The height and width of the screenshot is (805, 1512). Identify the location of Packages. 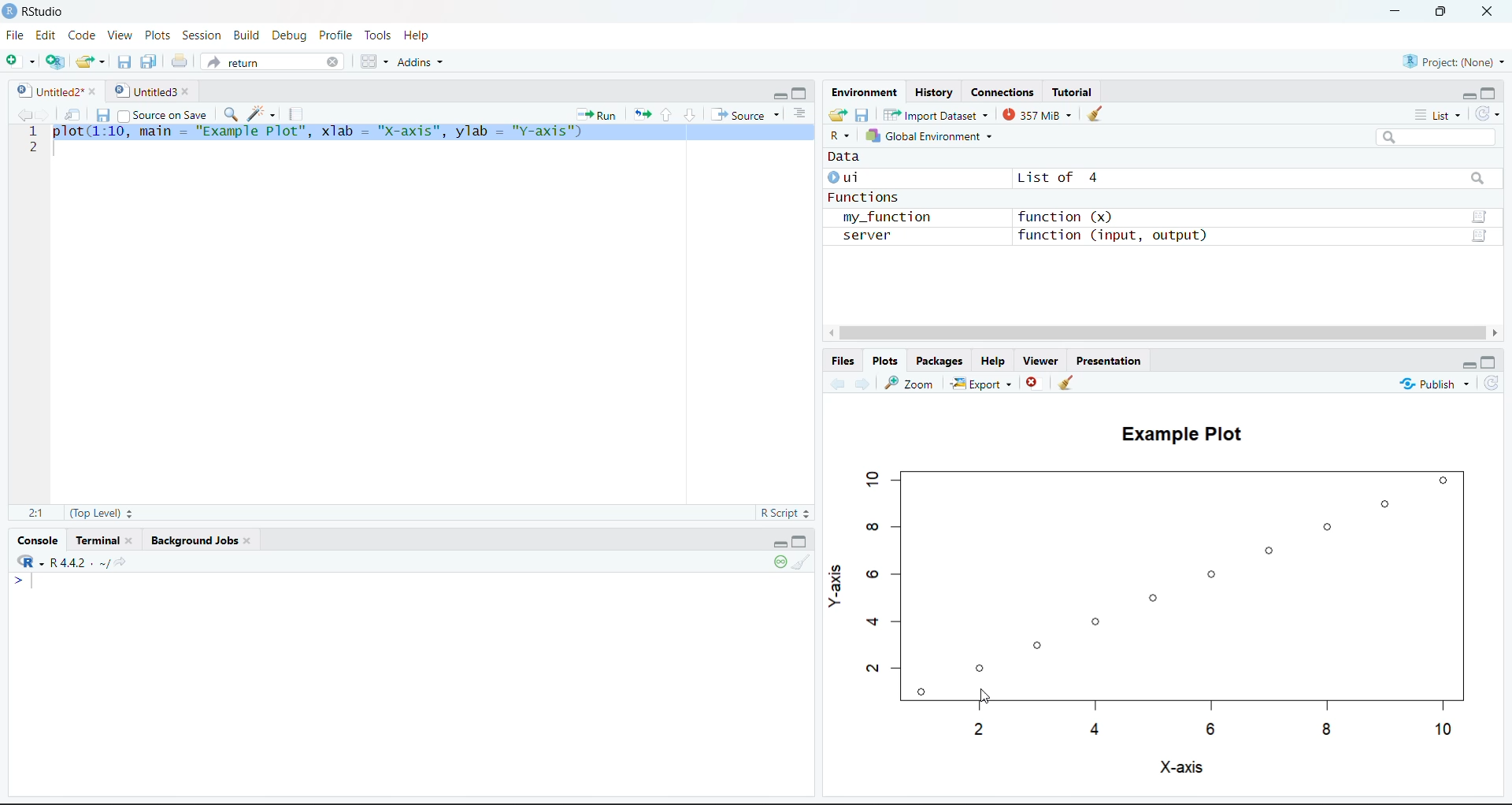
(942, 361).